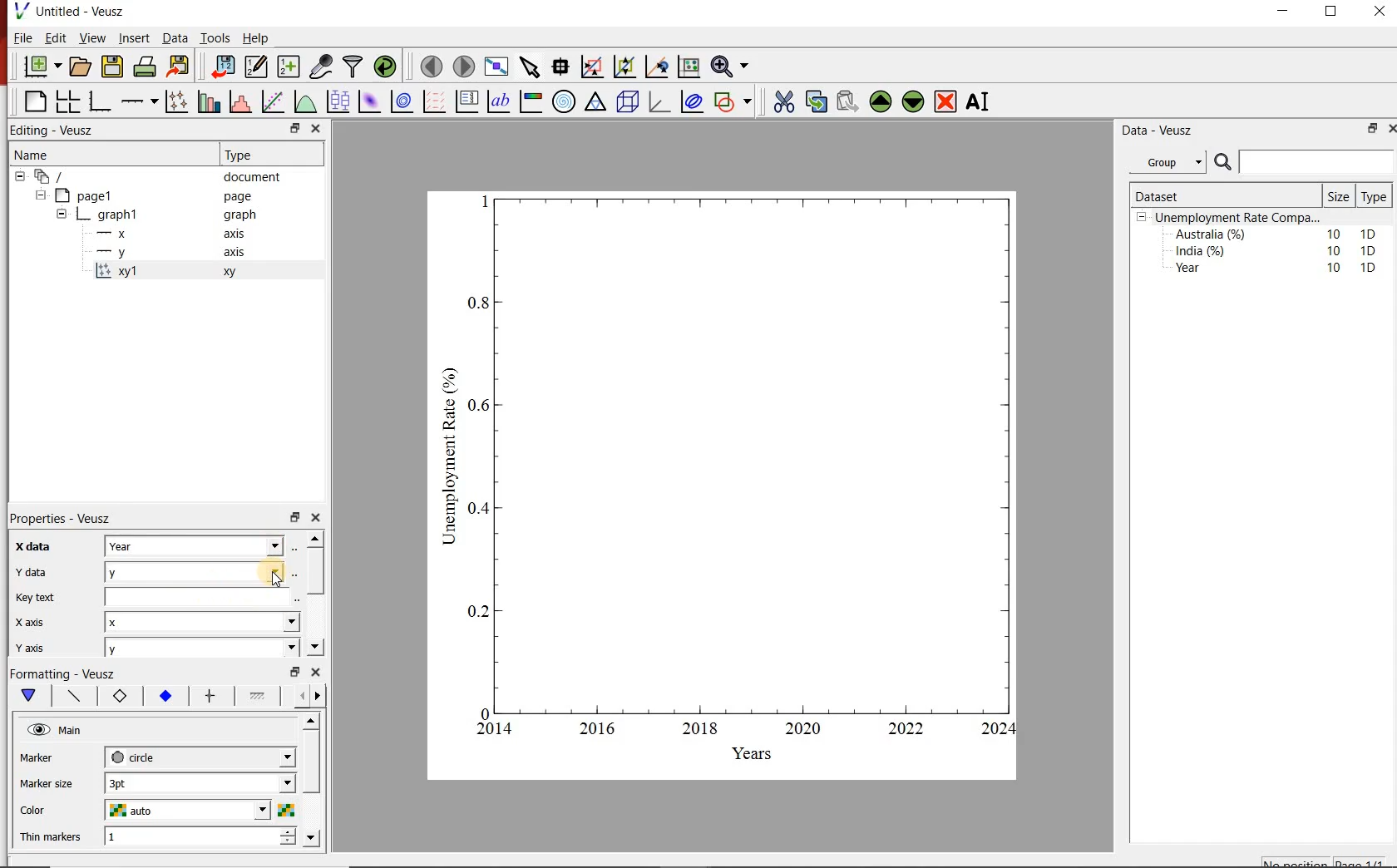 This screenshot has width=1397, height=868. I want to click on minimise, so click(294, 516).